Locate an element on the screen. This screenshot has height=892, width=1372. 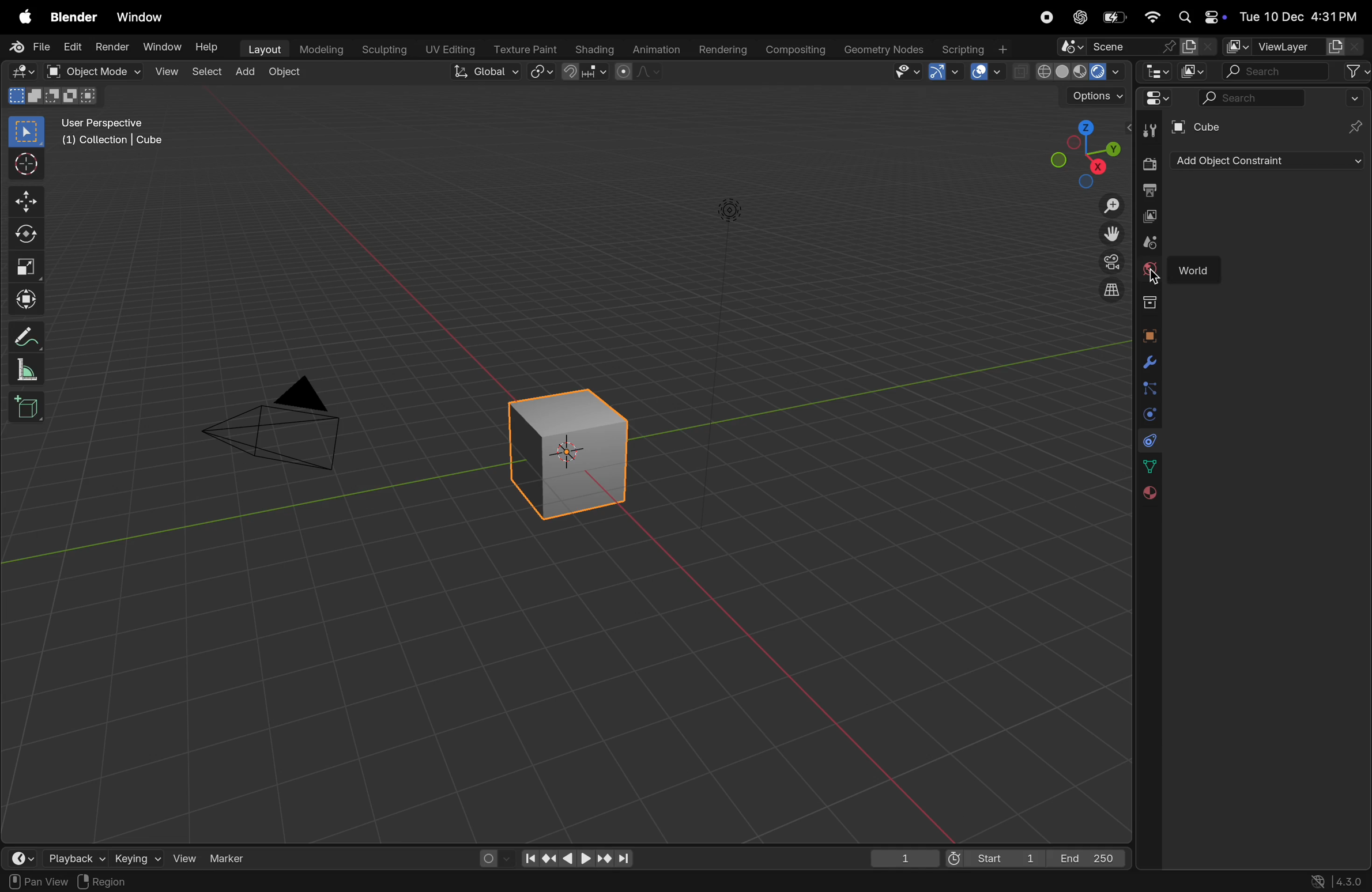
editor mode is located at coordinates (1154, 71).